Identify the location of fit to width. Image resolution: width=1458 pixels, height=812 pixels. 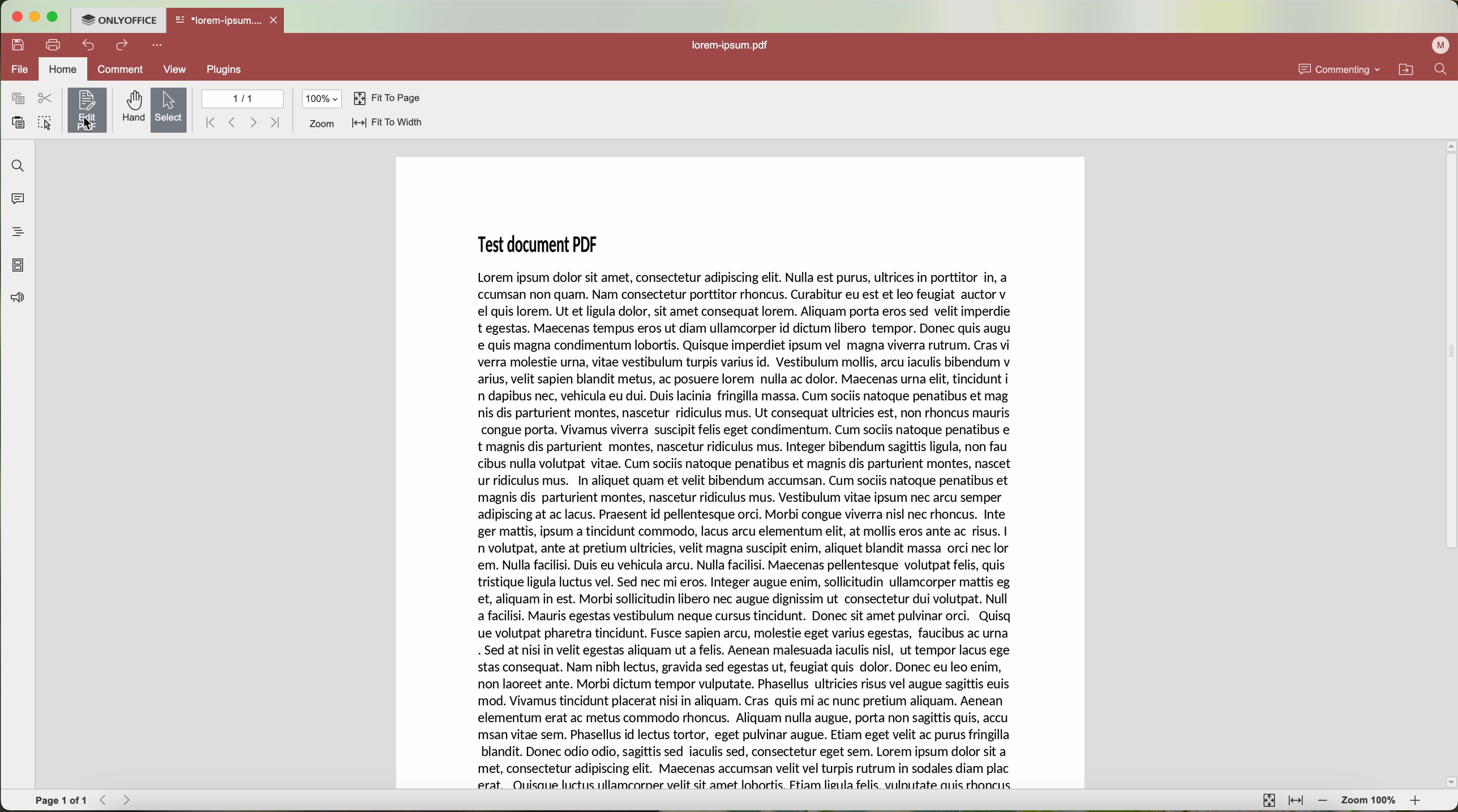
(387, 123).